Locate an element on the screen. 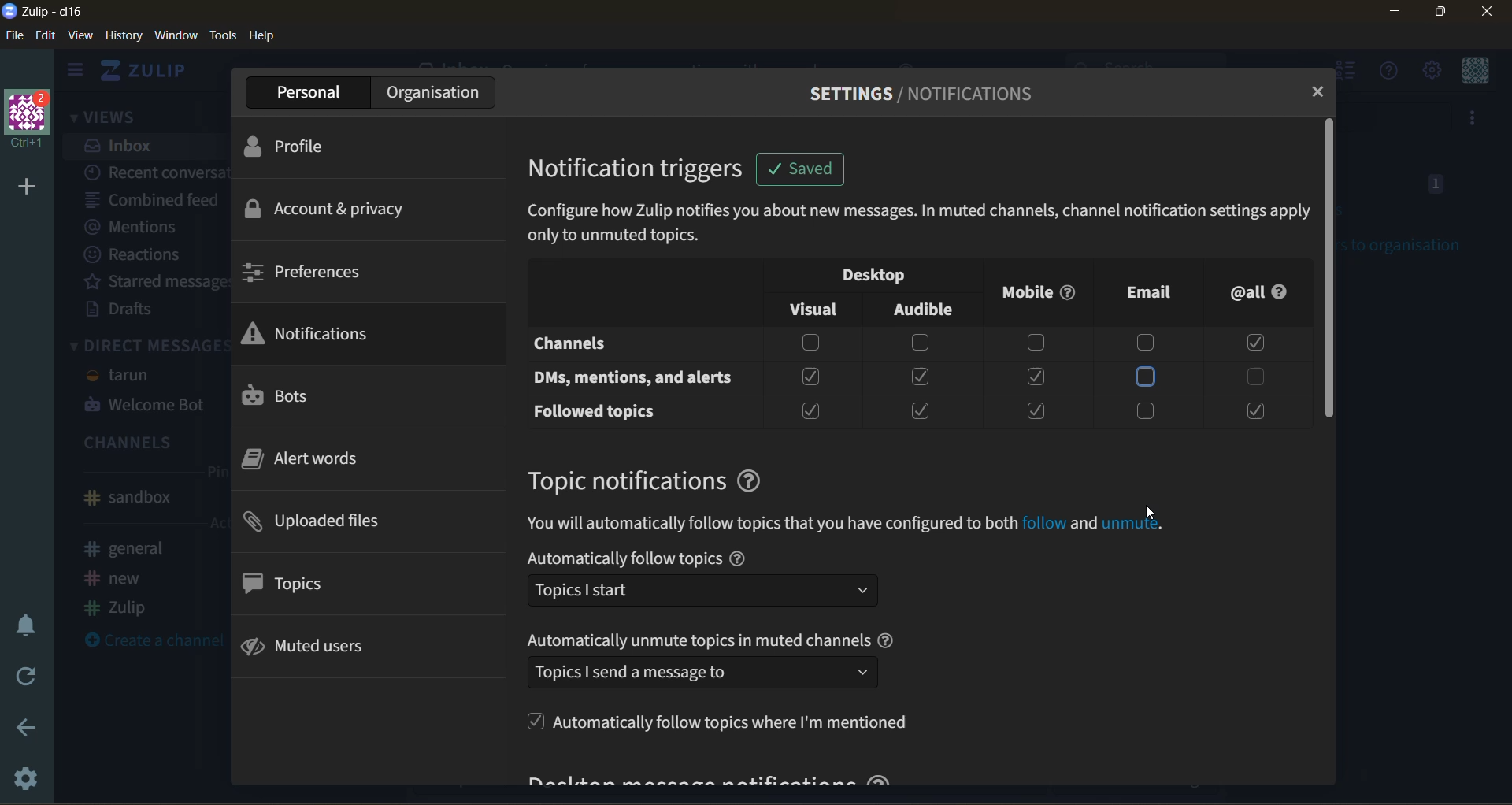 The image size is (1512, 805). uploaded files is located at coordinates (333, 523).